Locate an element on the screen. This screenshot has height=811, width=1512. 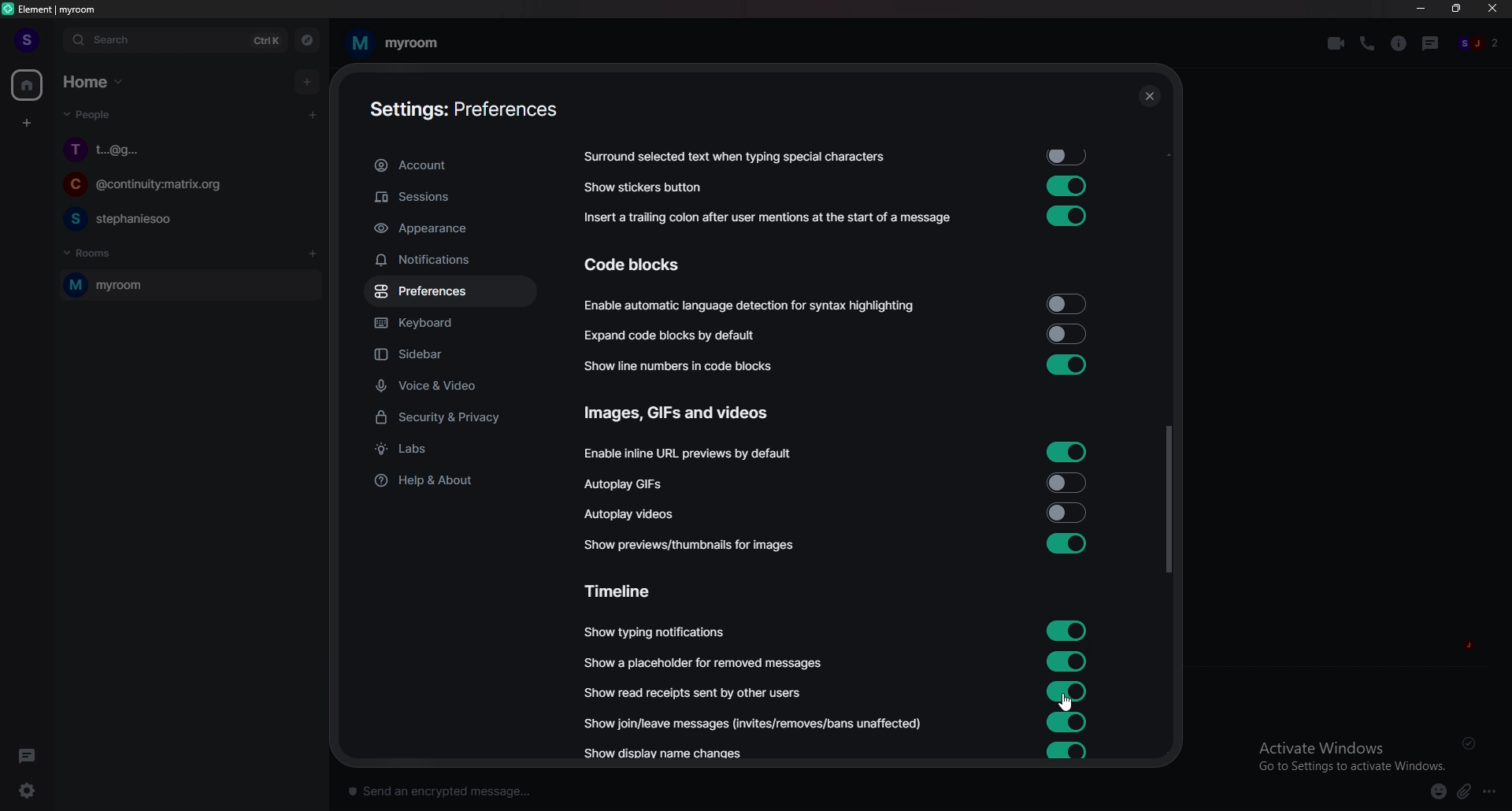
 is located at coordinates (1149, 98).